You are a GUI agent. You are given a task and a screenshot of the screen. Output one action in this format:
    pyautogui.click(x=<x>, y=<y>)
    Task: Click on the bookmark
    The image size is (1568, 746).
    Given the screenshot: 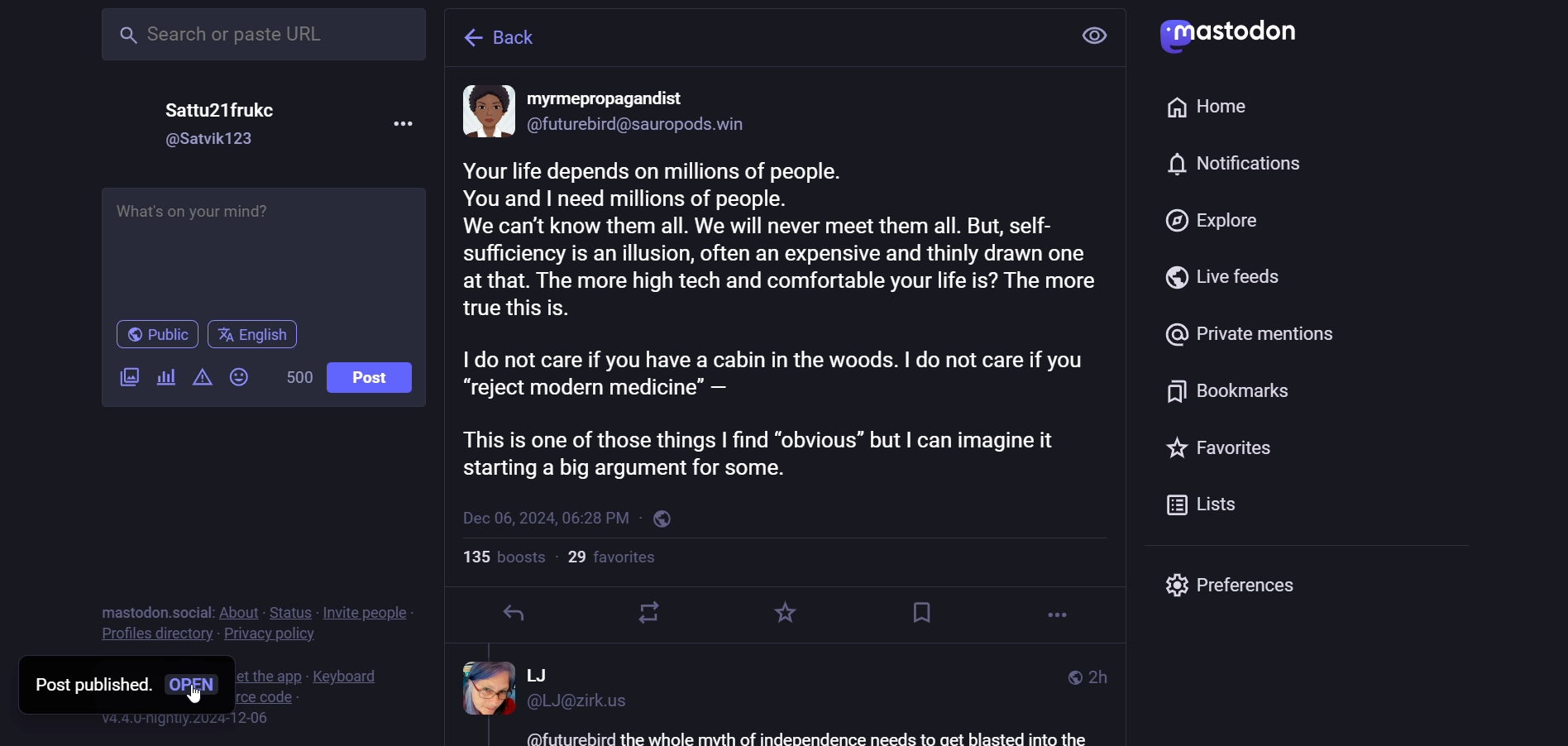 What is the action you would take?
    pyautogui.click(x=1230, y=390)
    